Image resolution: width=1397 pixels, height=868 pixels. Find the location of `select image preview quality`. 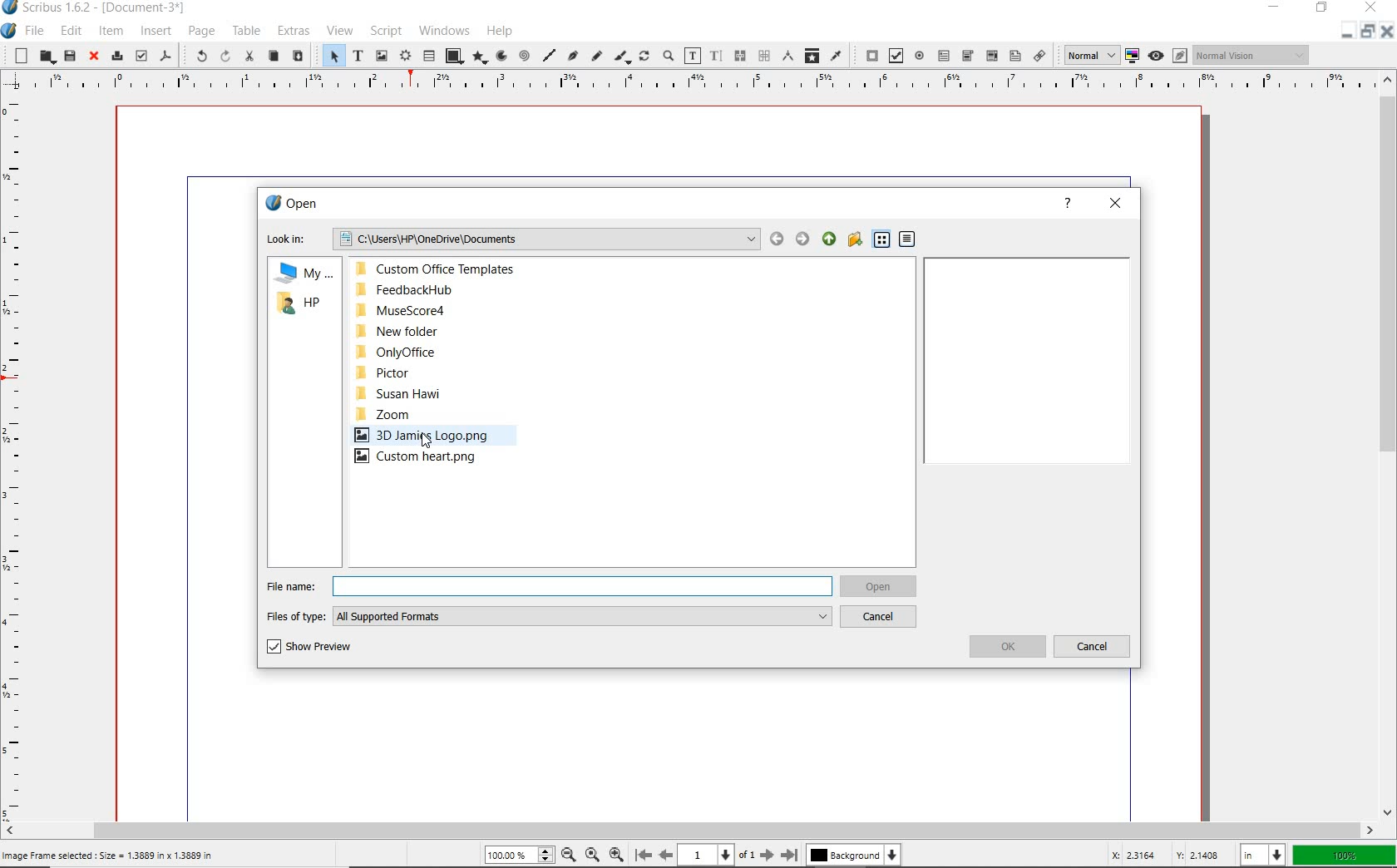

select image preview quality is located at coordinates (1089, 56).